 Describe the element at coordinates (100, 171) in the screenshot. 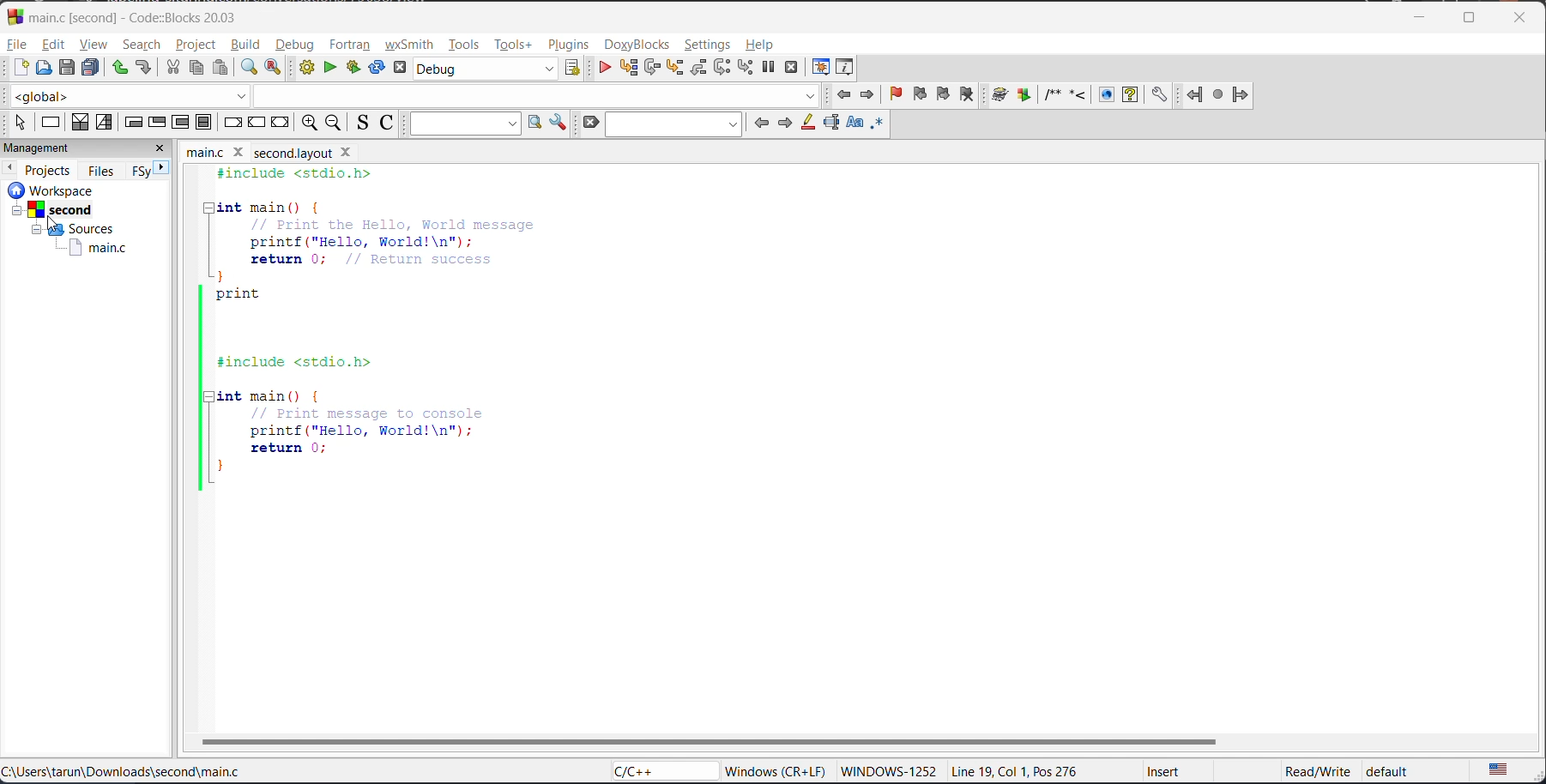

I see `files` at that location.